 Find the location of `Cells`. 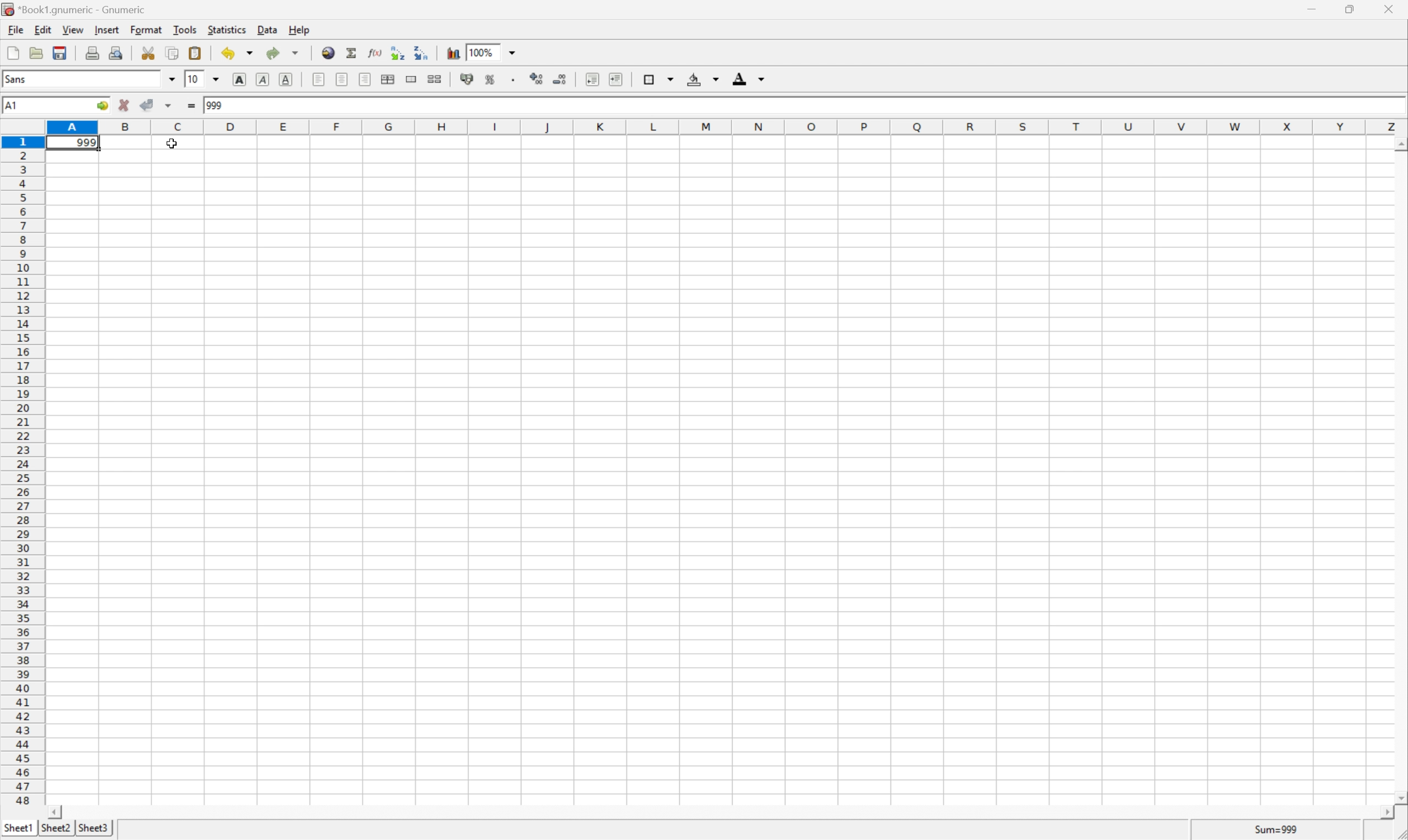

Cells is located at coordinates (716, 486).